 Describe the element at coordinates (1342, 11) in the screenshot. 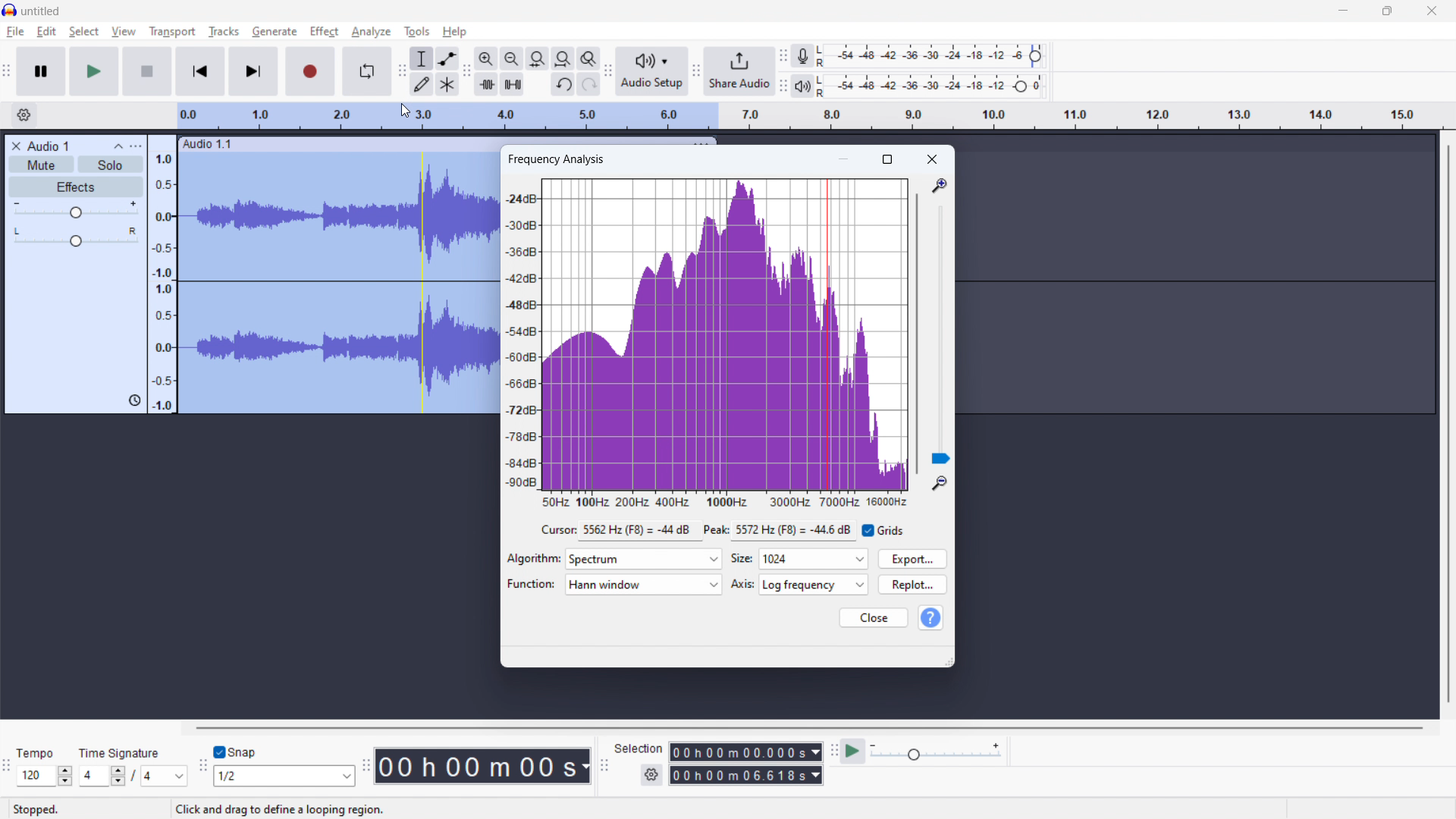

I see `minimize` at that location.